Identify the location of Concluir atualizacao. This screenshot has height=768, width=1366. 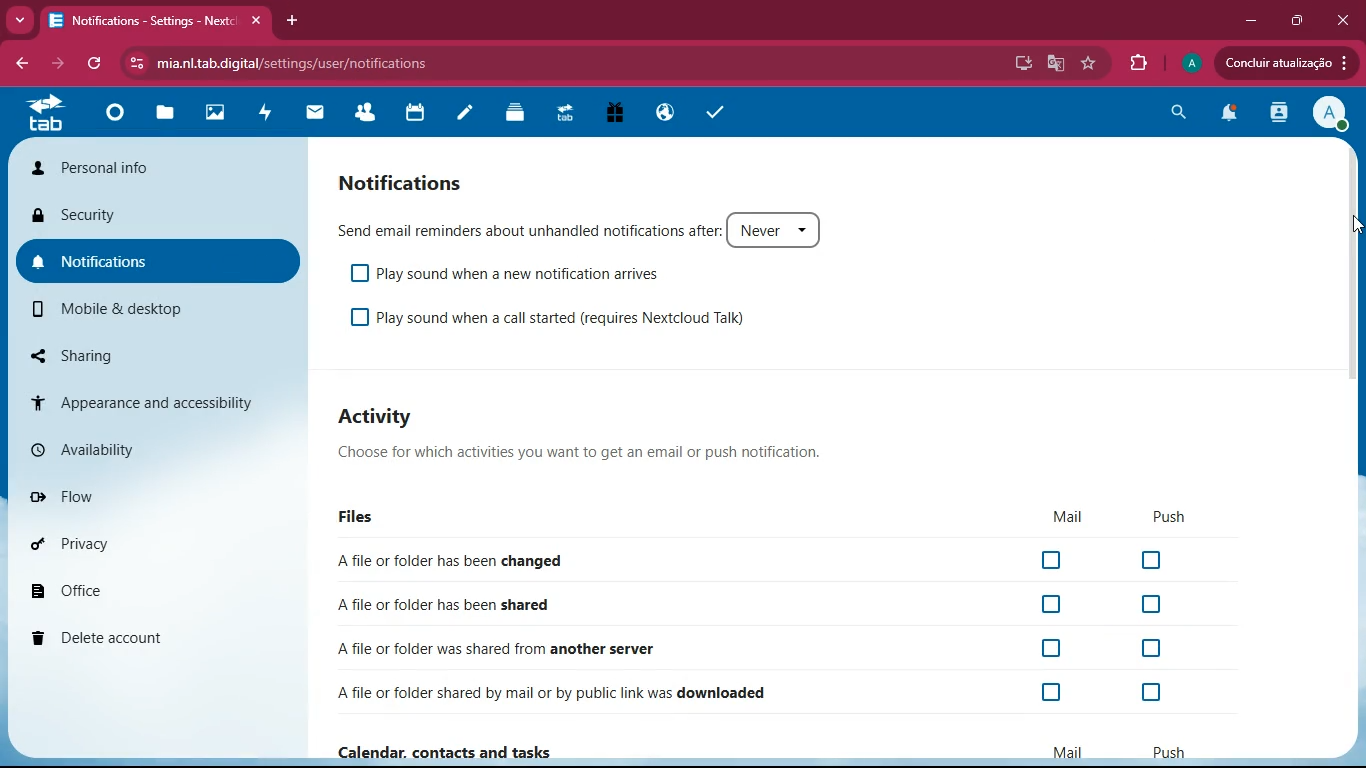
(1286, 62).